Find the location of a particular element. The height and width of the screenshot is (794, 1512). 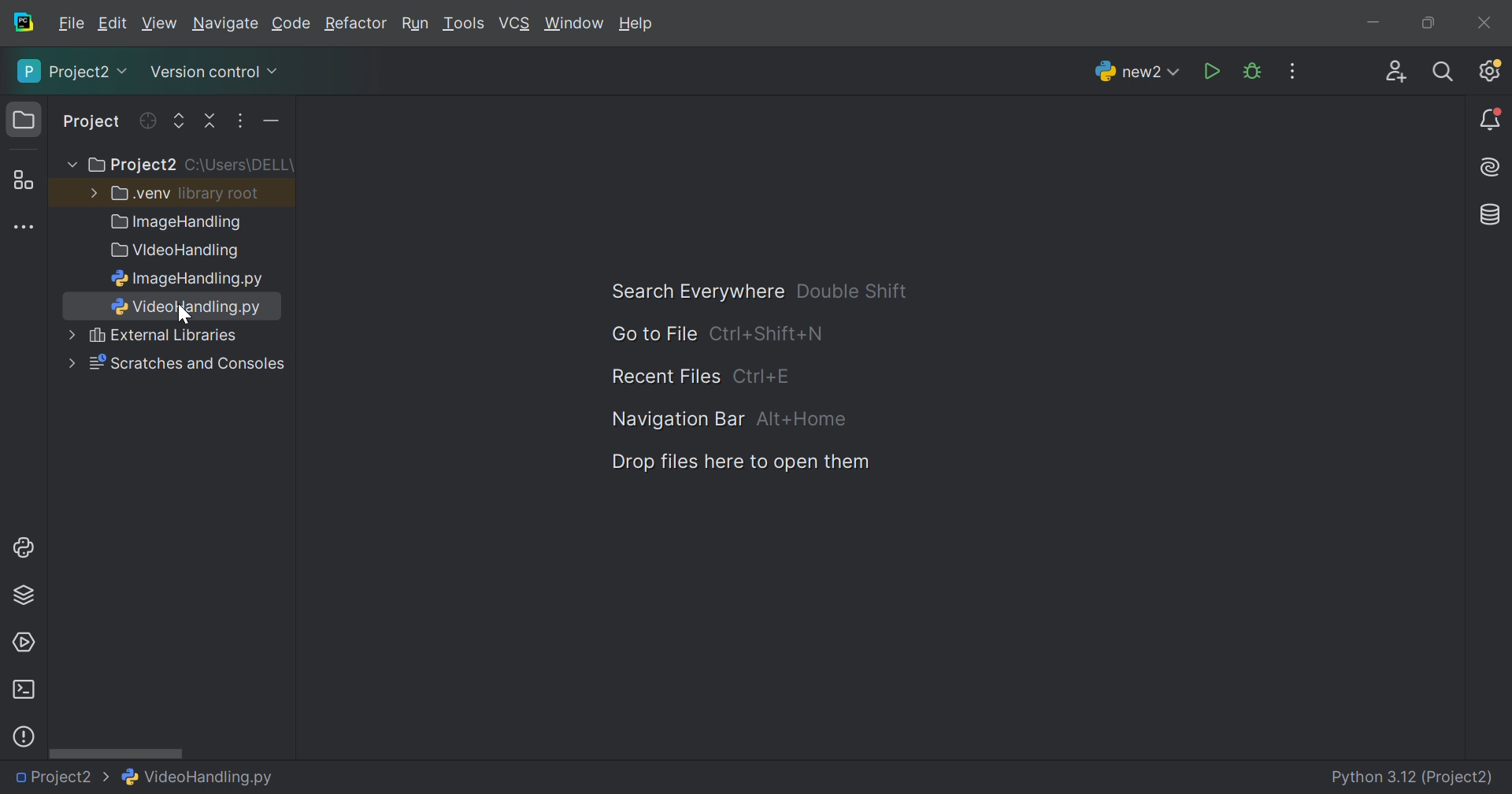

new2 is located at coordinates (1137, 76).